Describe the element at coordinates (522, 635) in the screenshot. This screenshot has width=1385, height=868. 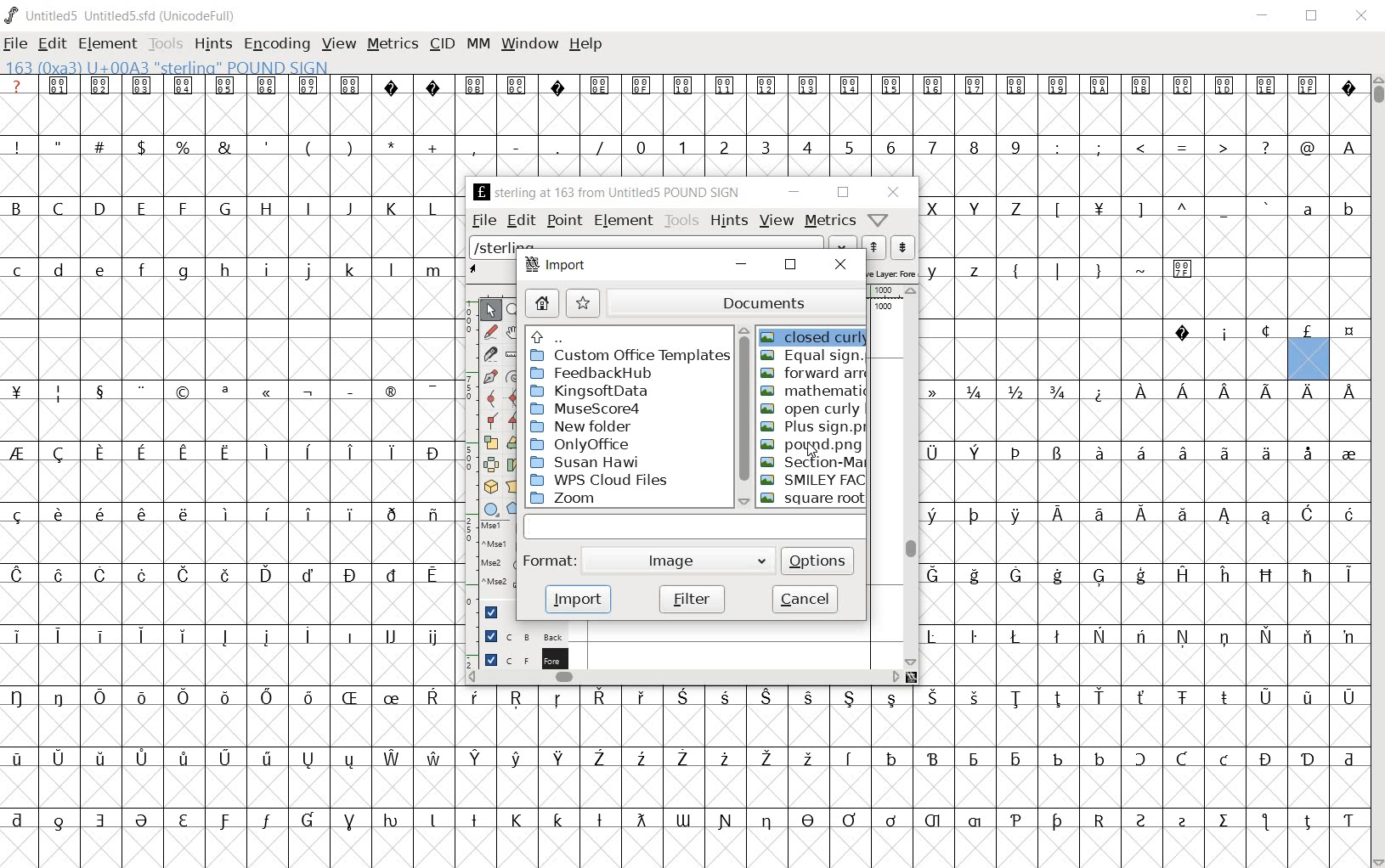
I see `background layer` at that location.